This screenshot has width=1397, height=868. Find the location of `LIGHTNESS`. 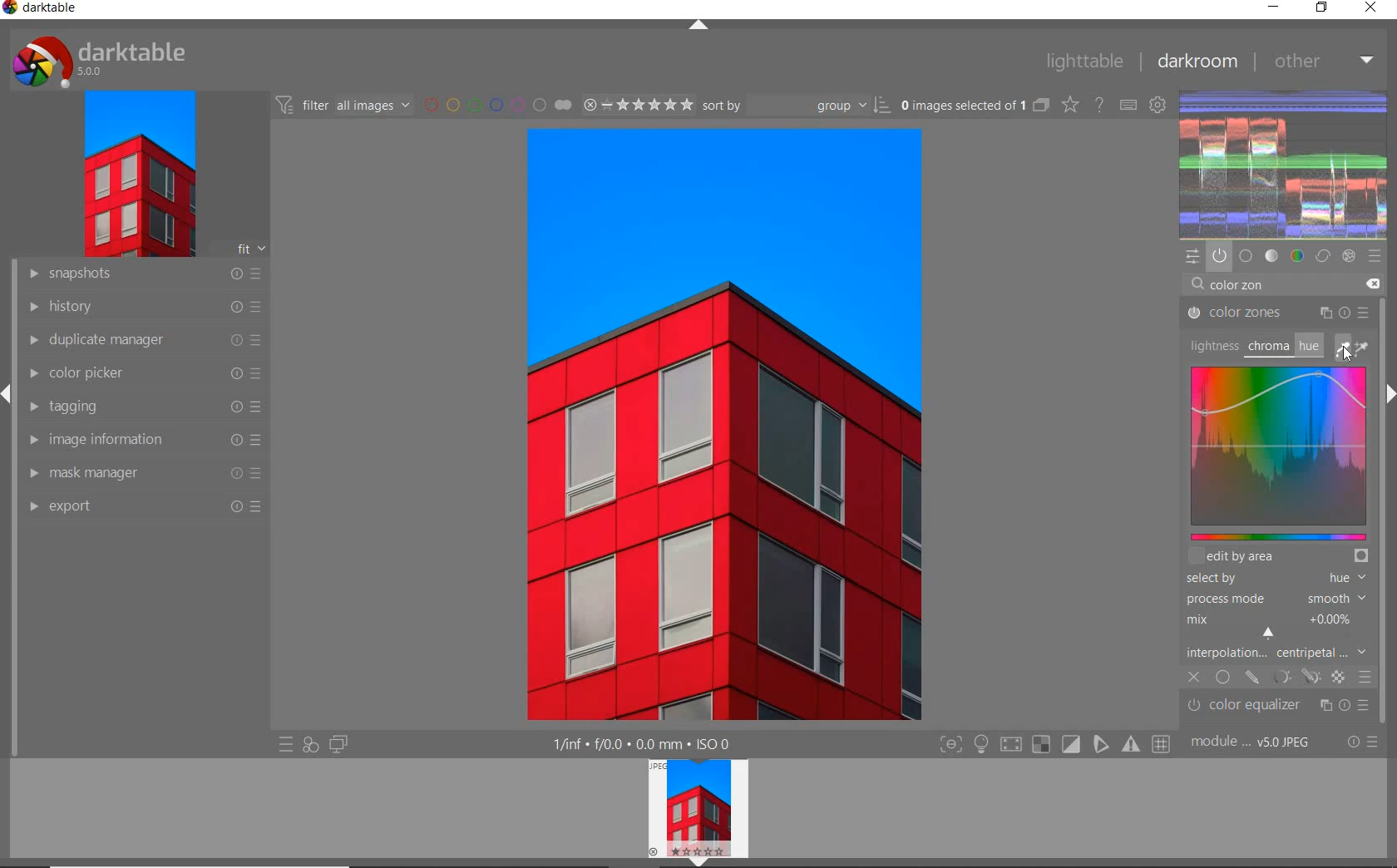

LIGHTNESS is located at coordinates (1212, 345).